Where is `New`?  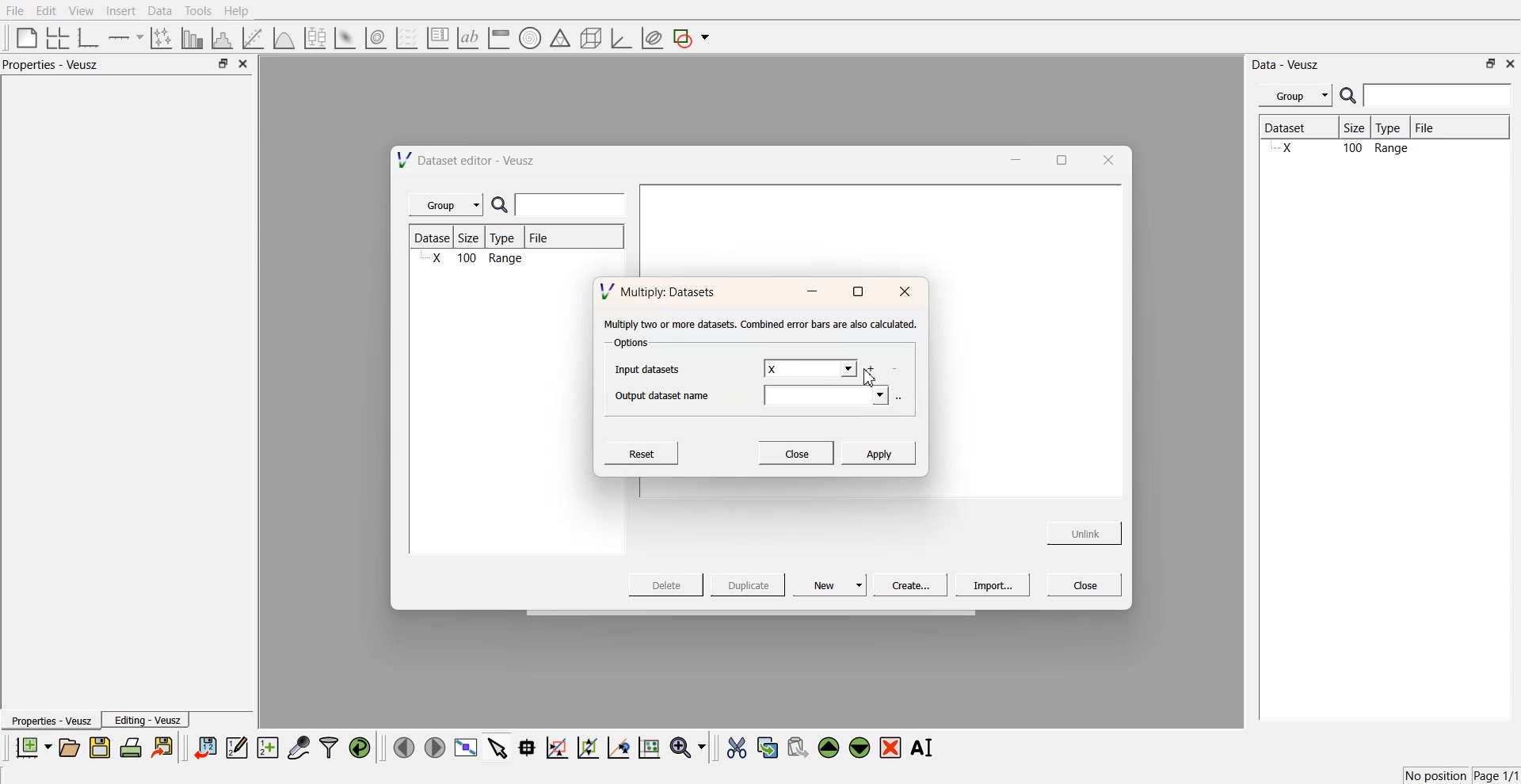 New is located at coordinates (832, 584).